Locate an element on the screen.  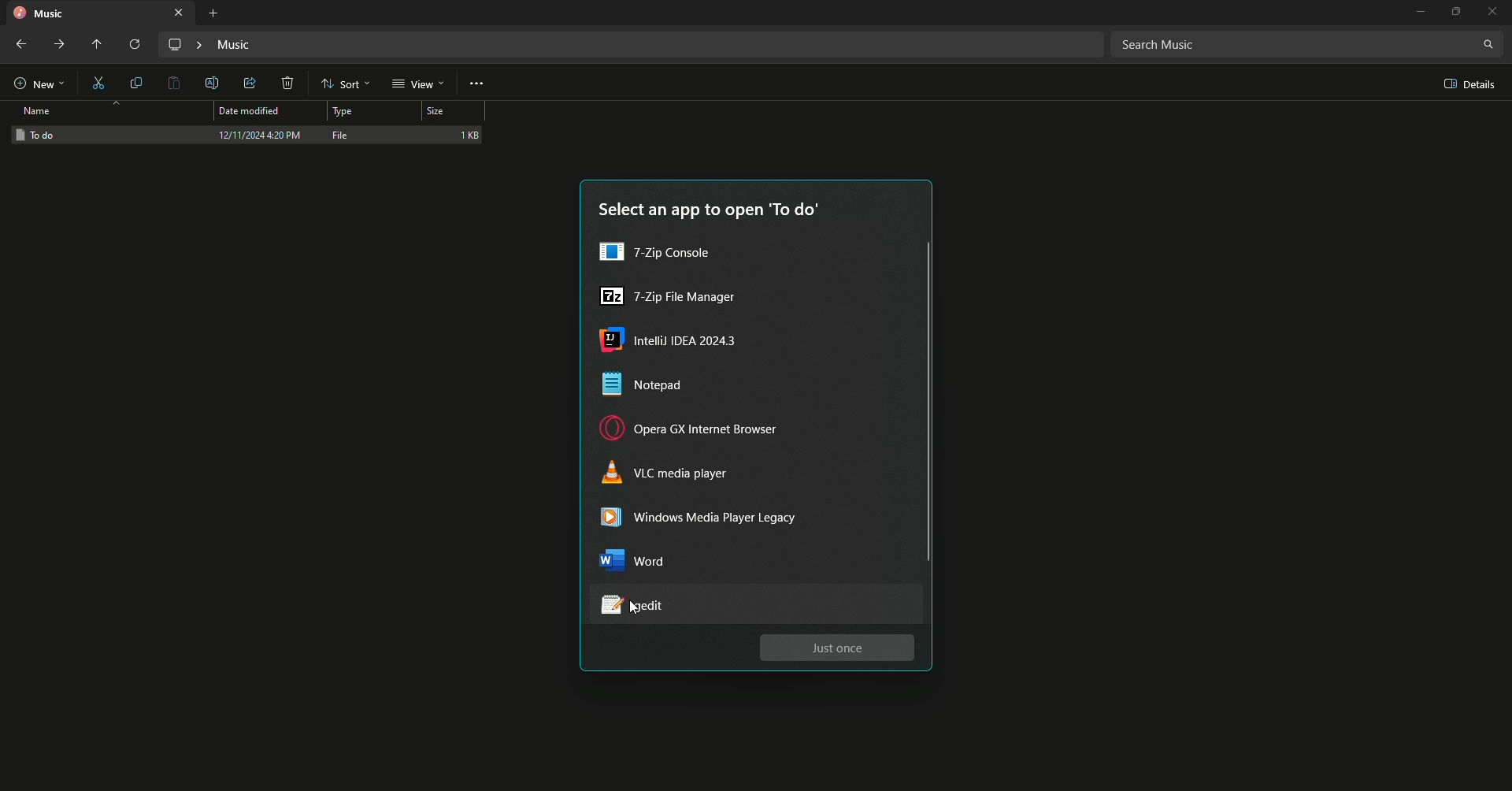
Move up is located at coordinates (94, 43).